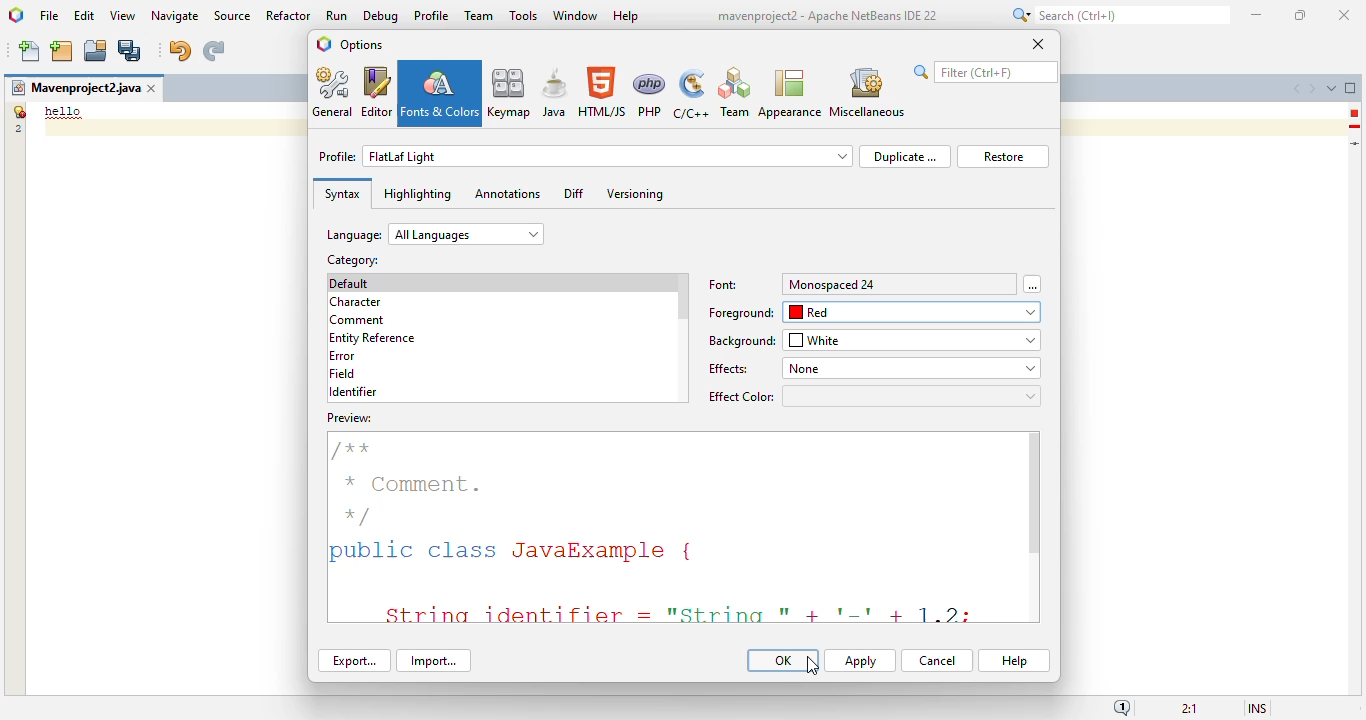  Describe the element at coordinates (813, 667) in the screenshot. I see `cursor` at that location.